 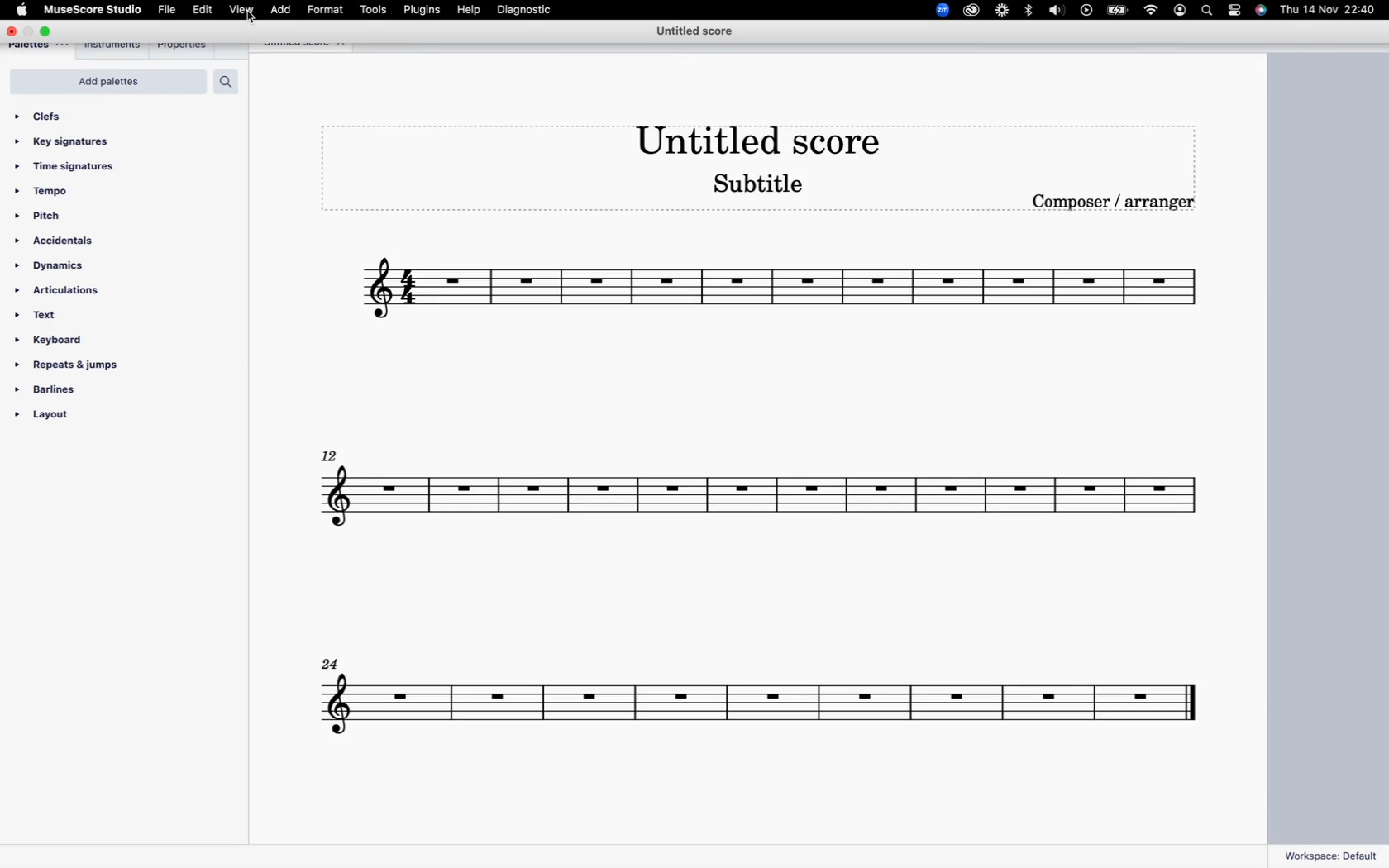 I want to click on apple, so click(x=22, y=11).